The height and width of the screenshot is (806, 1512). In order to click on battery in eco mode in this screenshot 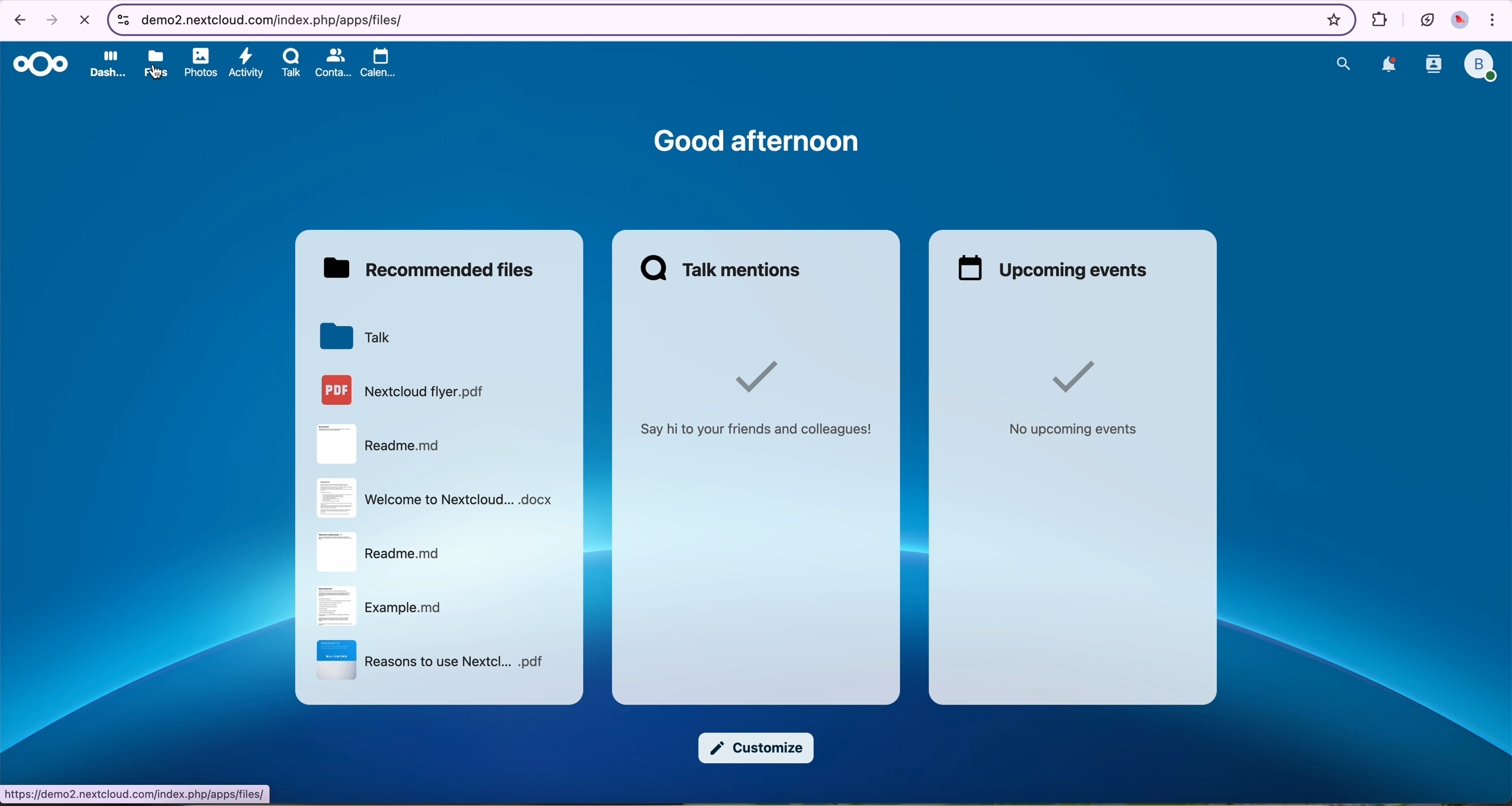, I will do `click(1426, 18)`.